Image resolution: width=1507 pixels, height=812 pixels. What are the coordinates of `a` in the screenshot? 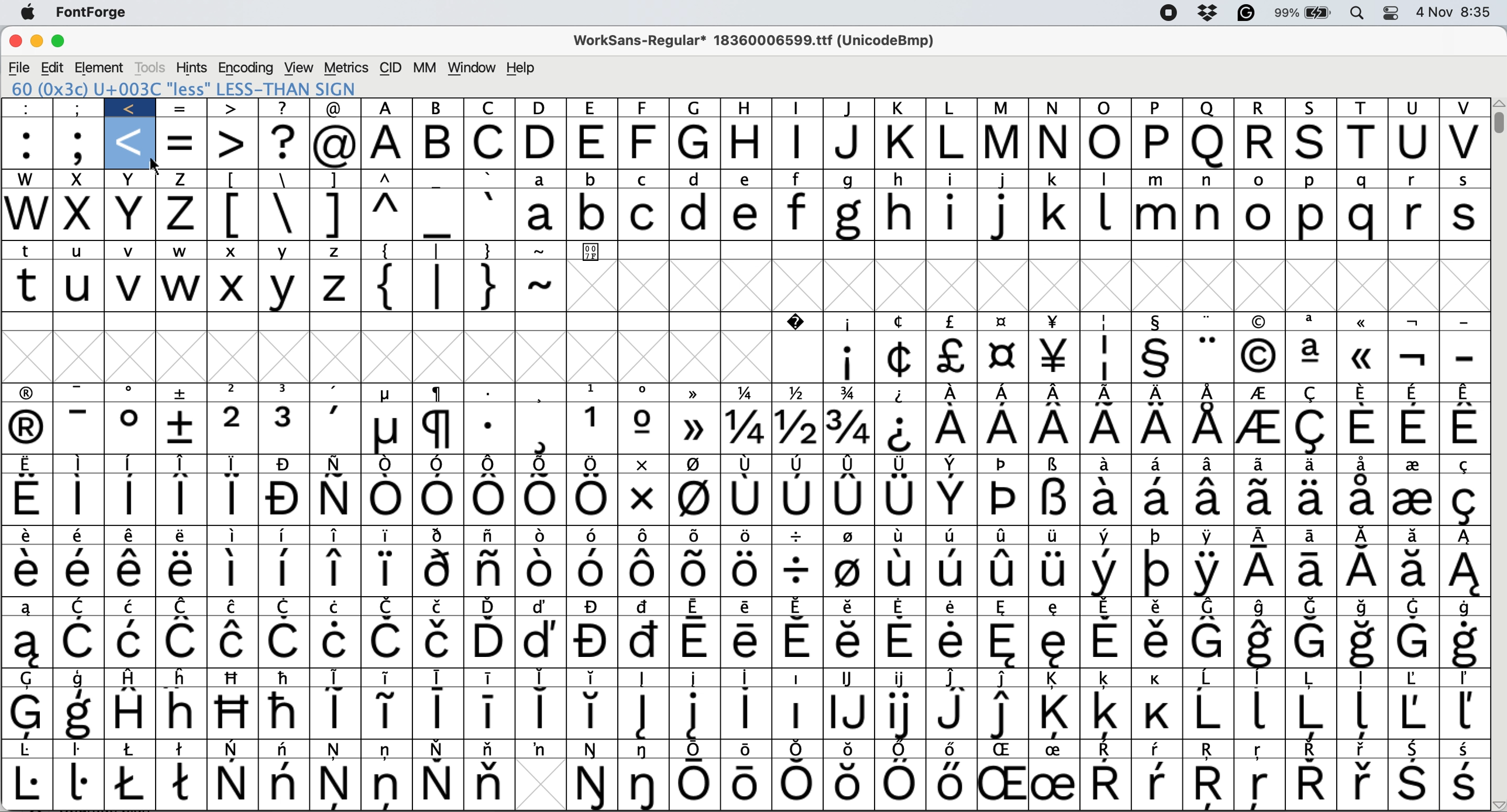 It's located at (538, 180).